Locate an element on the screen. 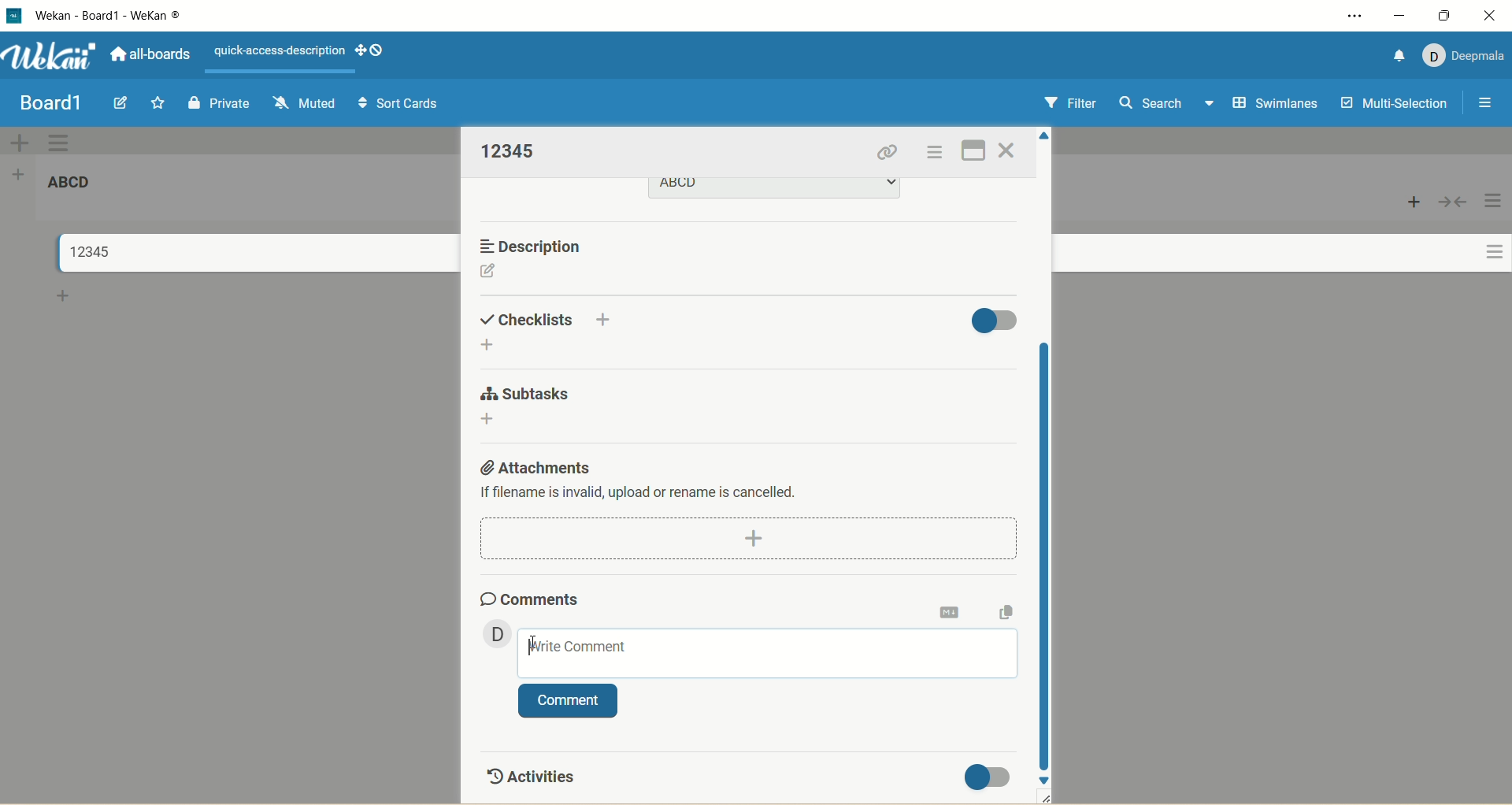 The image size is (1512, 805). description is located at coordinates (536, 246).